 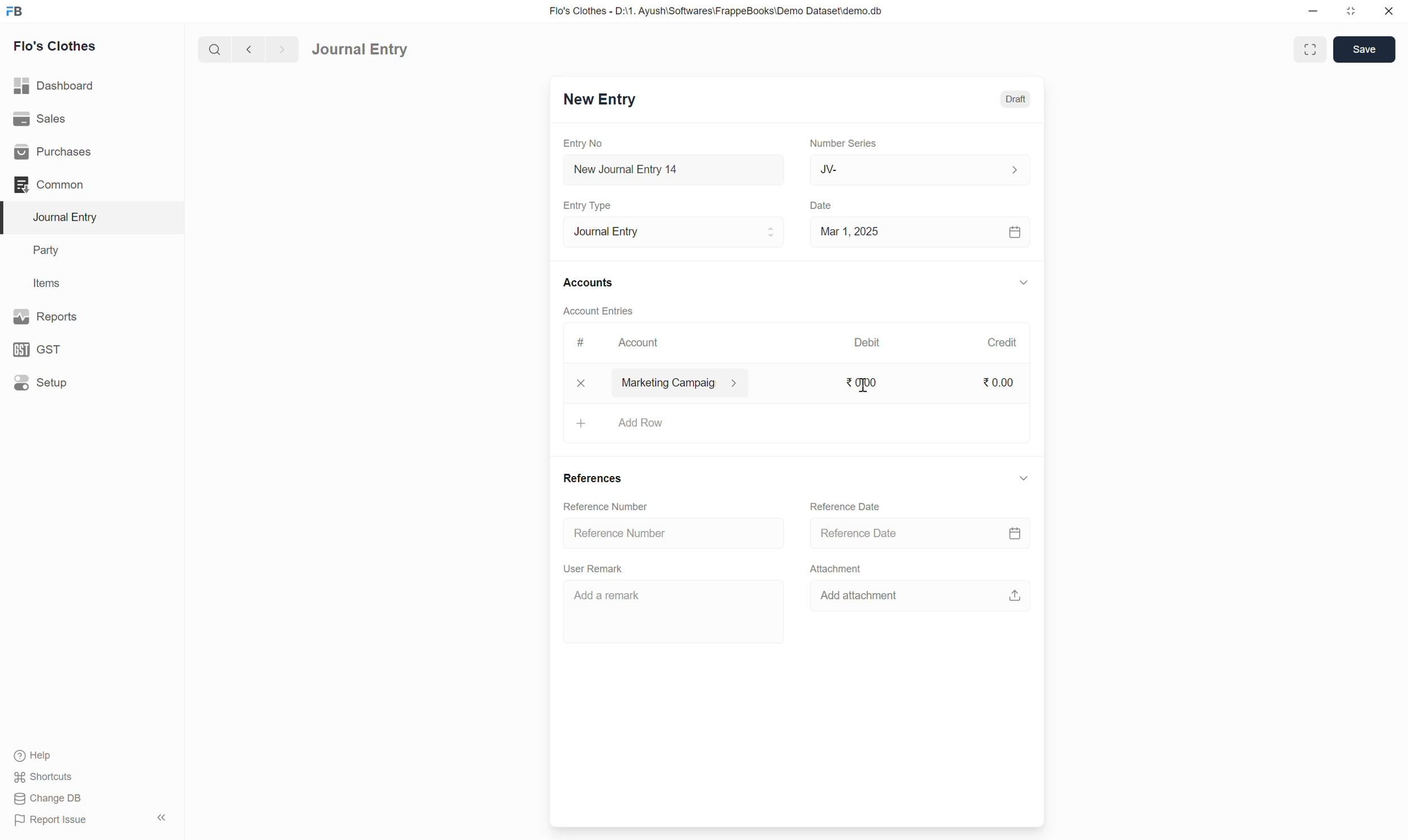 What do you see at coordinates (1016, 233) in the screenshot?
I see `calendar` at bounding box center [1016, 233].